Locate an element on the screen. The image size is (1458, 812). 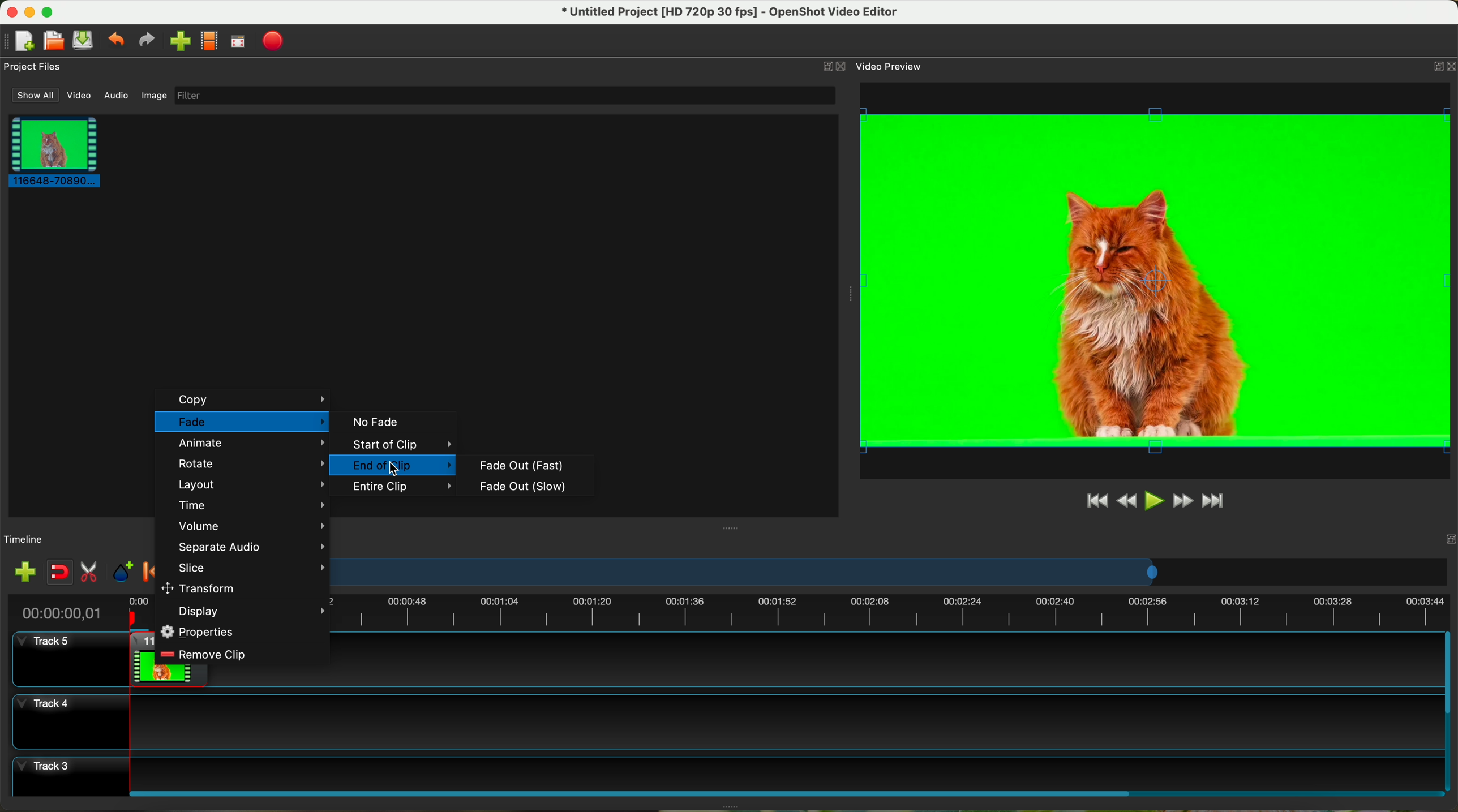
entire clip is located at coordinates (403, 488).